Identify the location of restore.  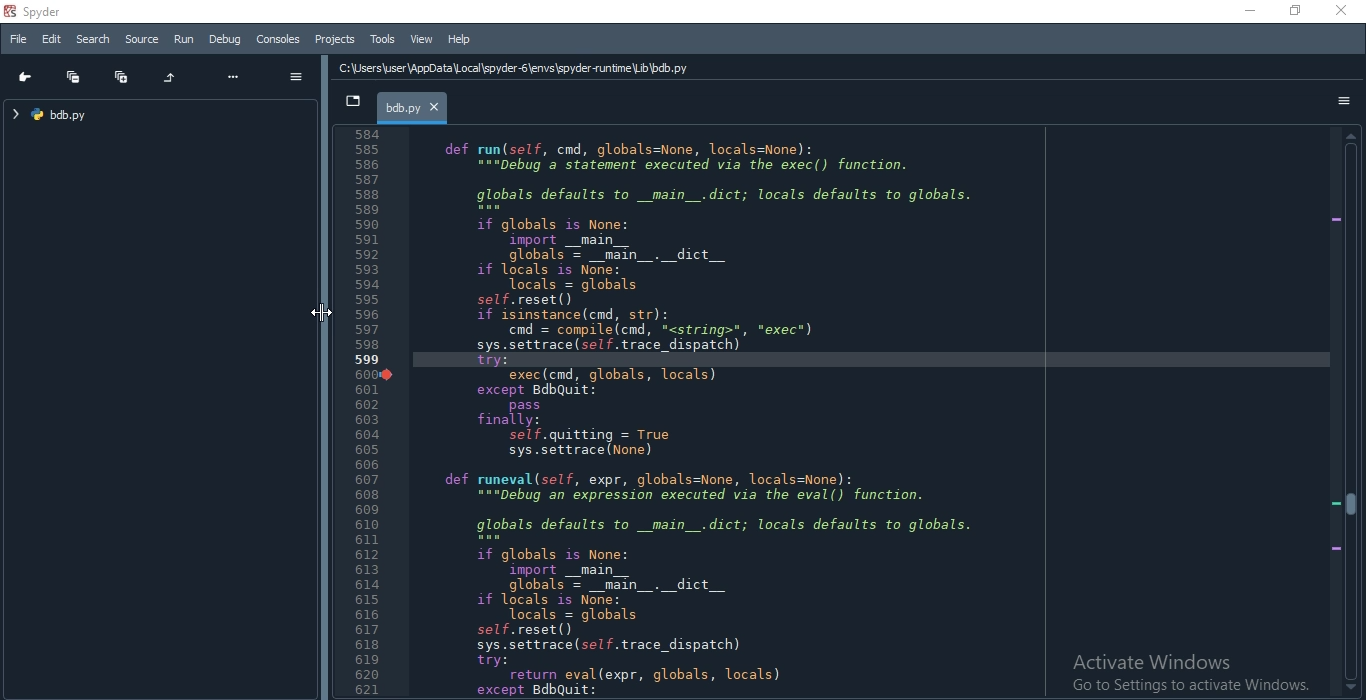
(1295, 12).